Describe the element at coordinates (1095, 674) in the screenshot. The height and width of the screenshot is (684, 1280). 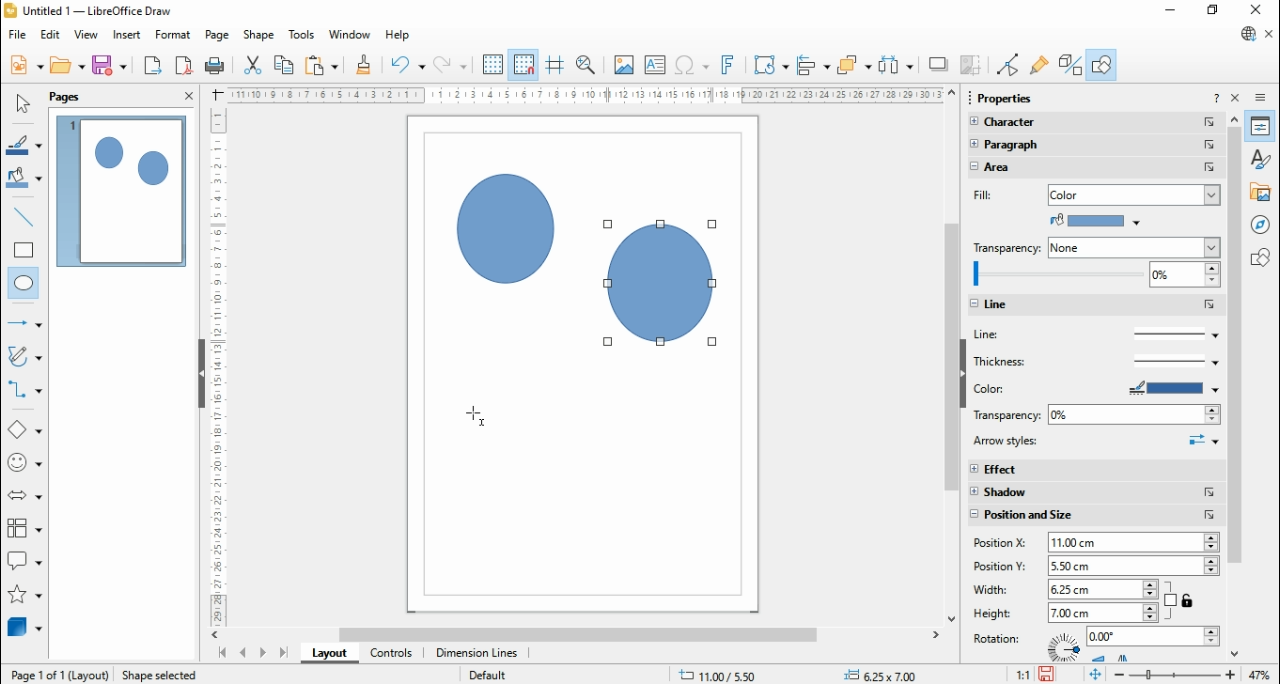
I see `fir page to current window` at that location.